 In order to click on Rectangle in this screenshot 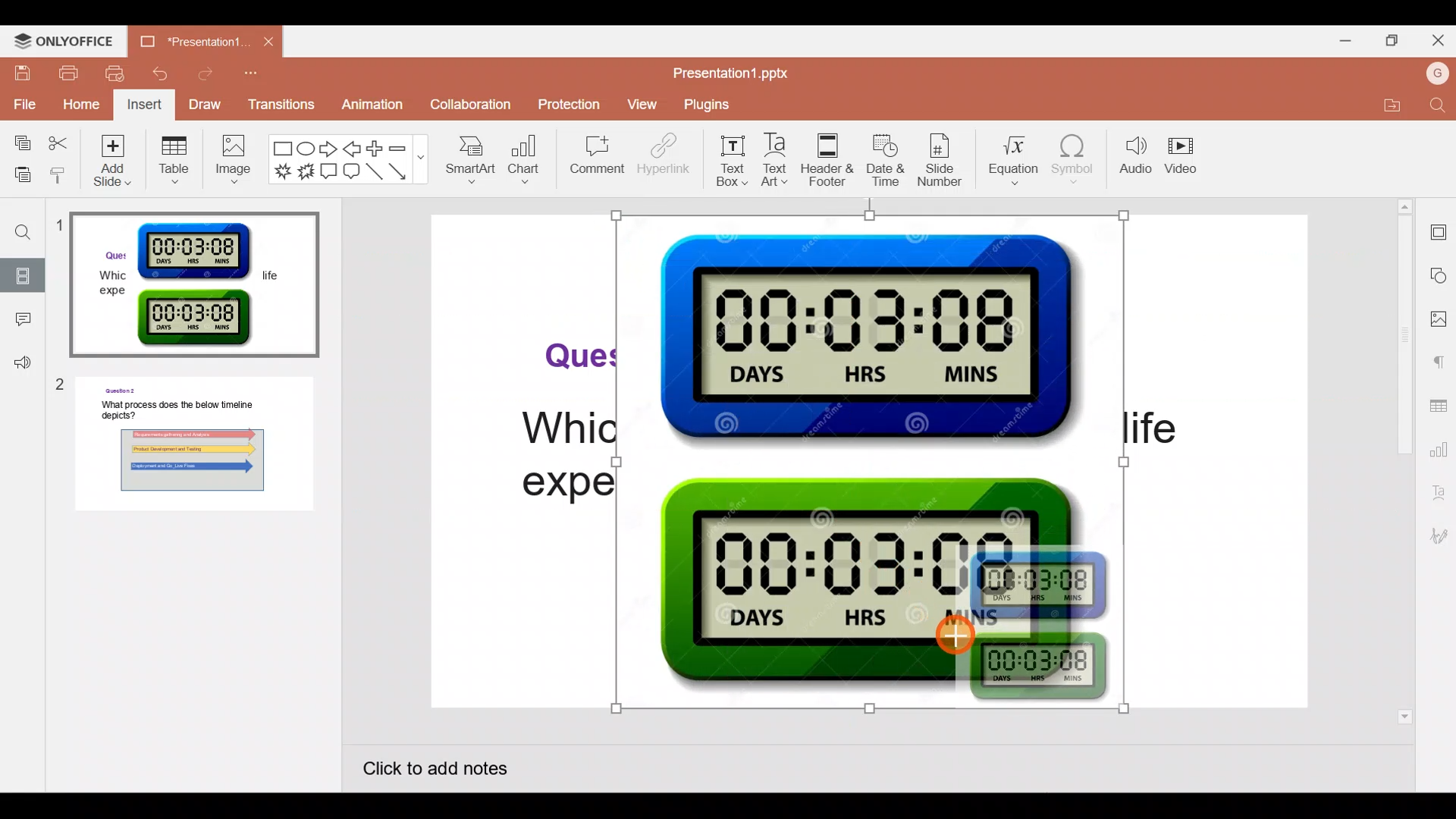, I will do `click(279, 147)`.